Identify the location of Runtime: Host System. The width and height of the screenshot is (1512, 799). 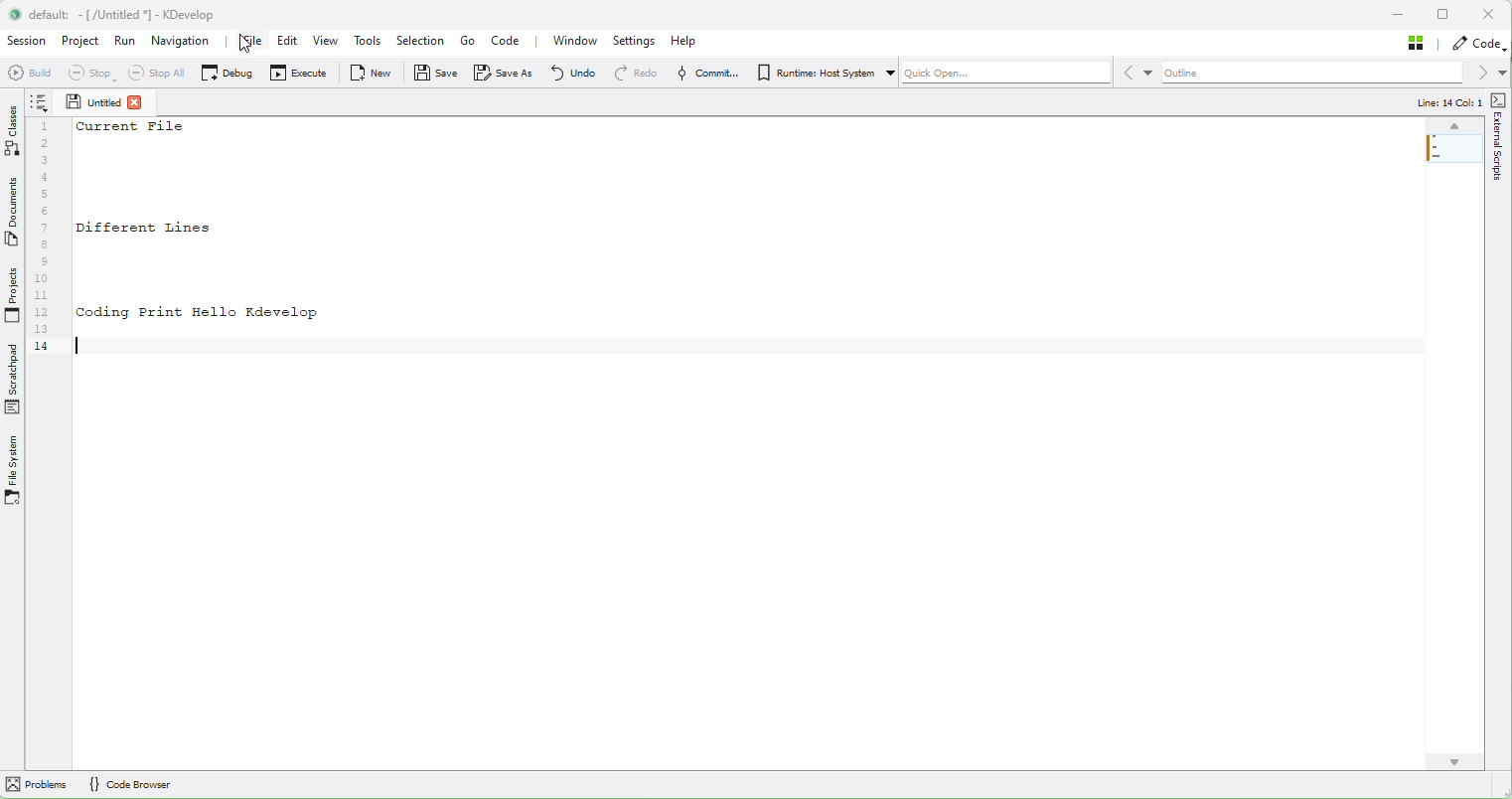
(822, 72).